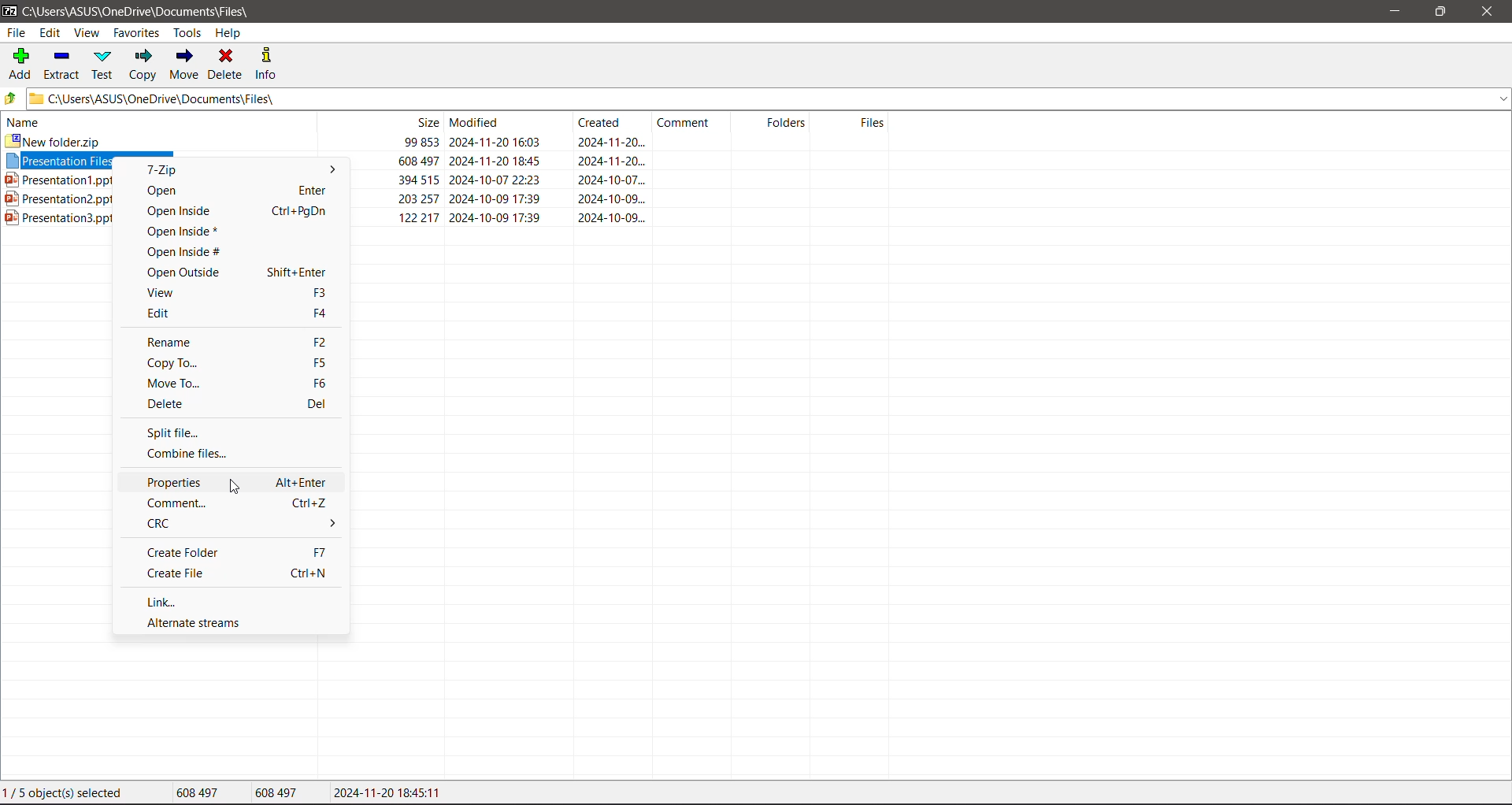 Image resolution: width=1512 pixels, height=805 pixels. What do you see at coordinates (104, 65) in the screenshot?
I see `Test` at bounding box center [104, 65].